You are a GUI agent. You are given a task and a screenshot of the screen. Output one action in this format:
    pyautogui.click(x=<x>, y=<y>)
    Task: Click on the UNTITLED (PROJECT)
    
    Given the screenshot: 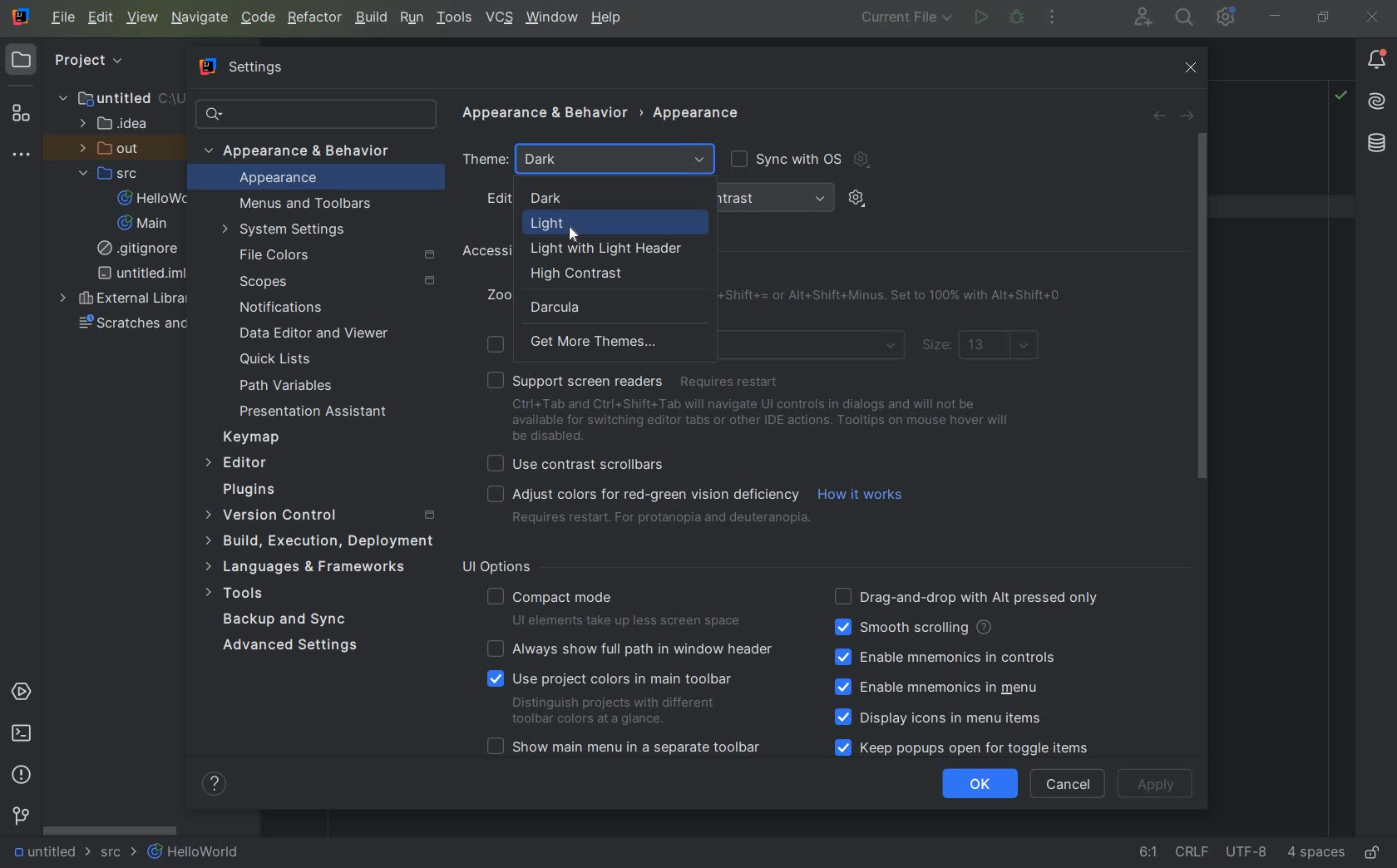 What is the action you would take?
    pyautogui.click(x=112, y=98)
    